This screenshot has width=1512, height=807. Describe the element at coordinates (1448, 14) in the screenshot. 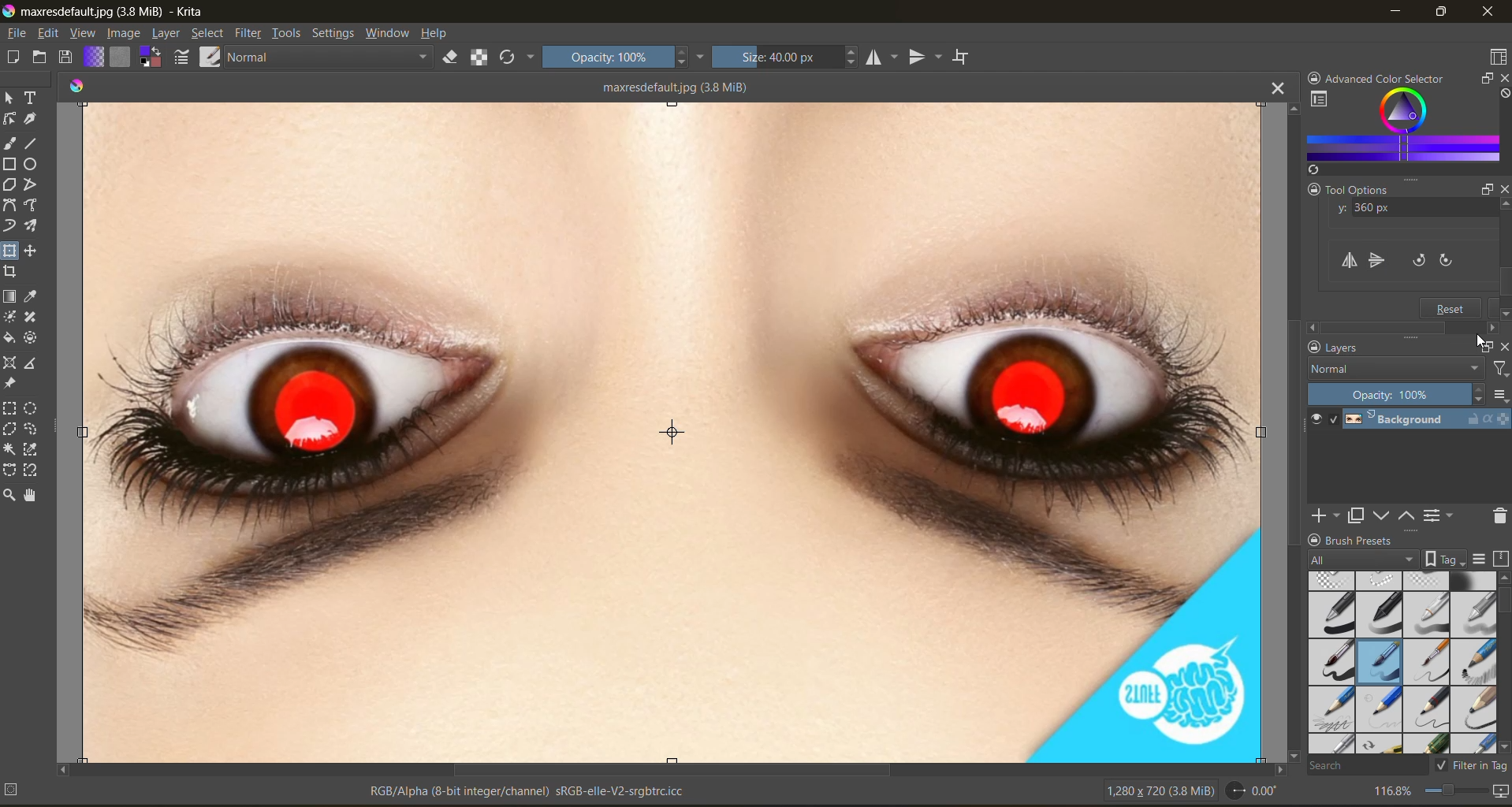

I see `maximize` at that location.